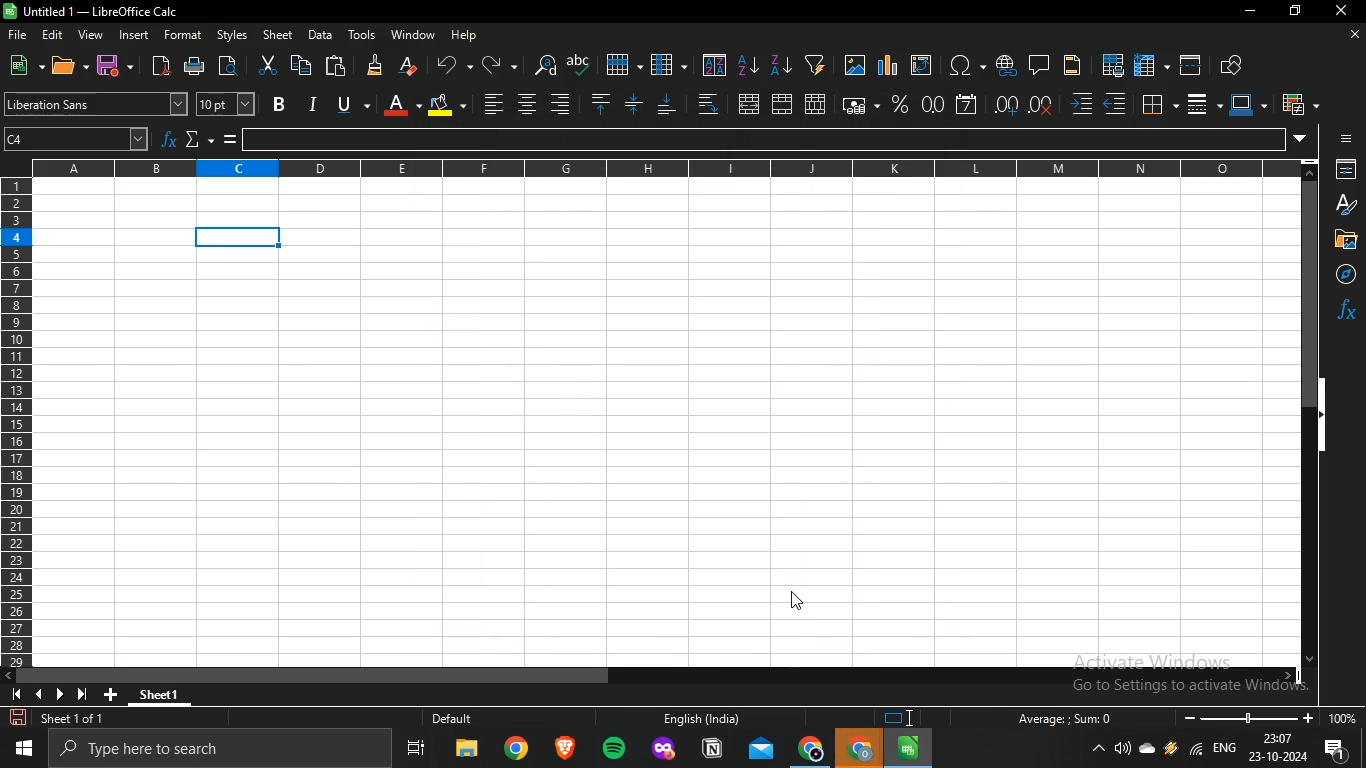 The image size is (1366, 768). I want to click on borders, so click(1157, 103).